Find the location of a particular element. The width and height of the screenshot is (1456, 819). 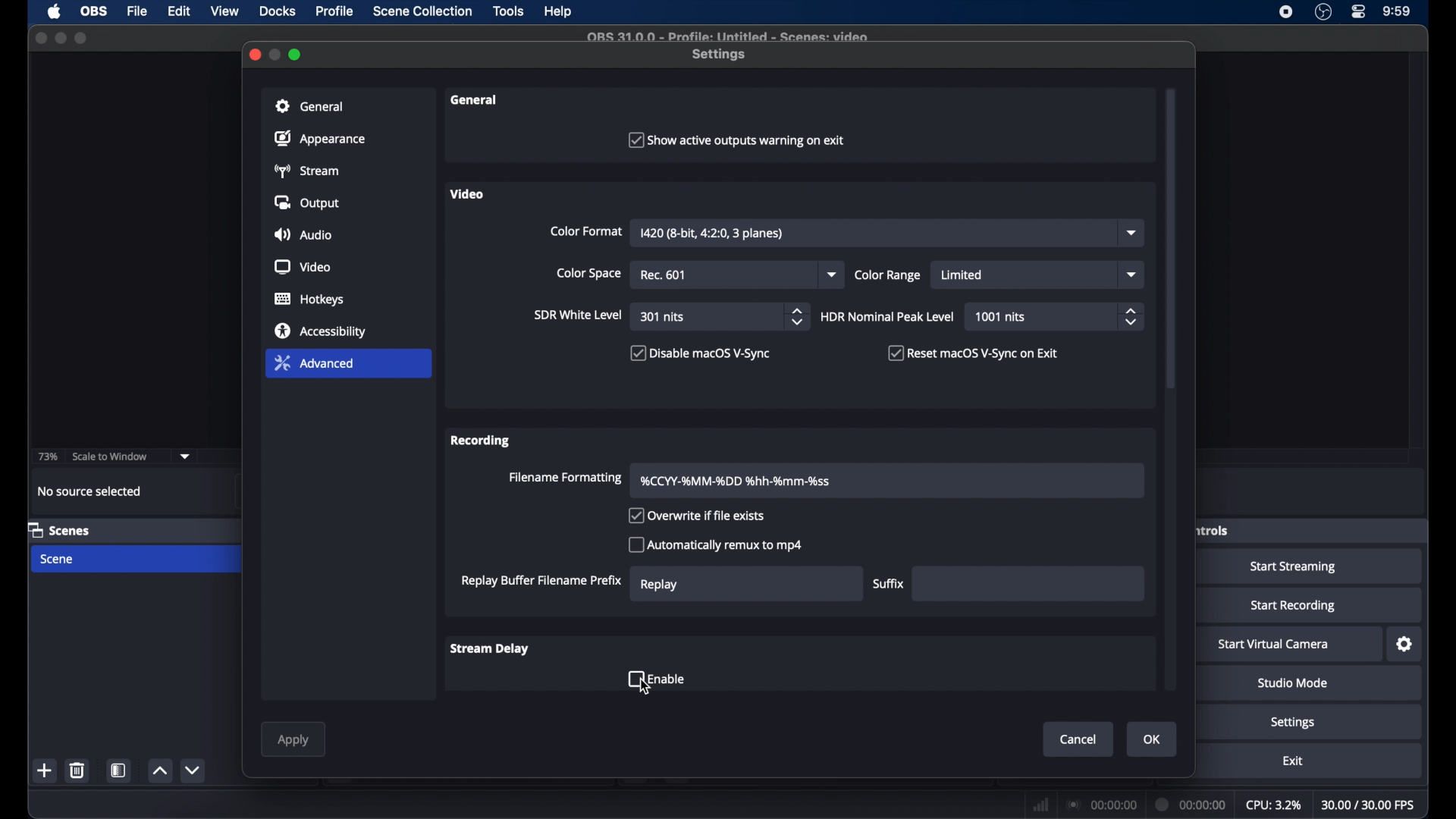

file is located at coordinates (137, 10).